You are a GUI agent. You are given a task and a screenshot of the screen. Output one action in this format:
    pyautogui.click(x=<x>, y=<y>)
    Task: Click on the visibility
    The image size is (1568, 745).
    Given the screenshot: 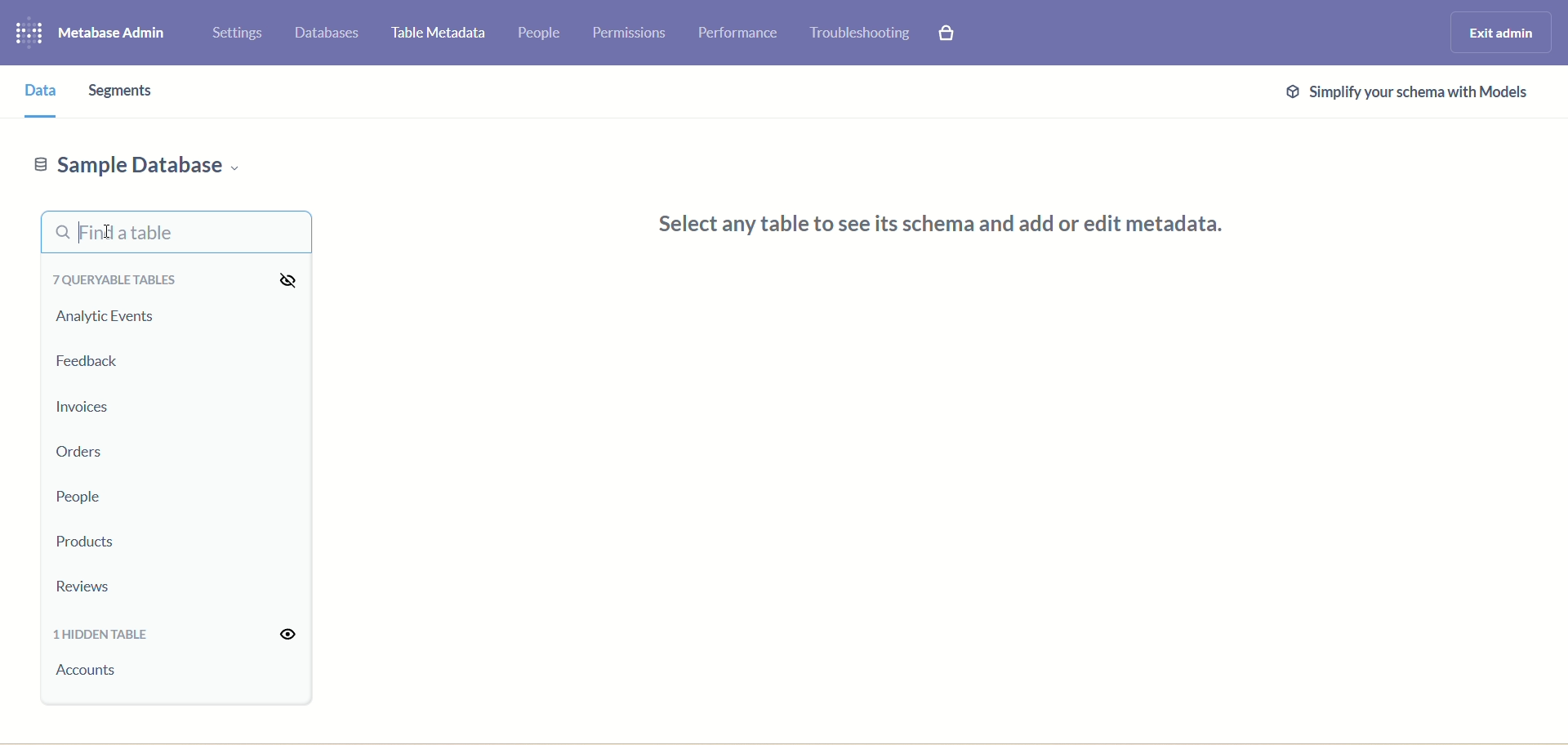 What is the action you would take?
    pyautogui.click(x=287, y=635)
    